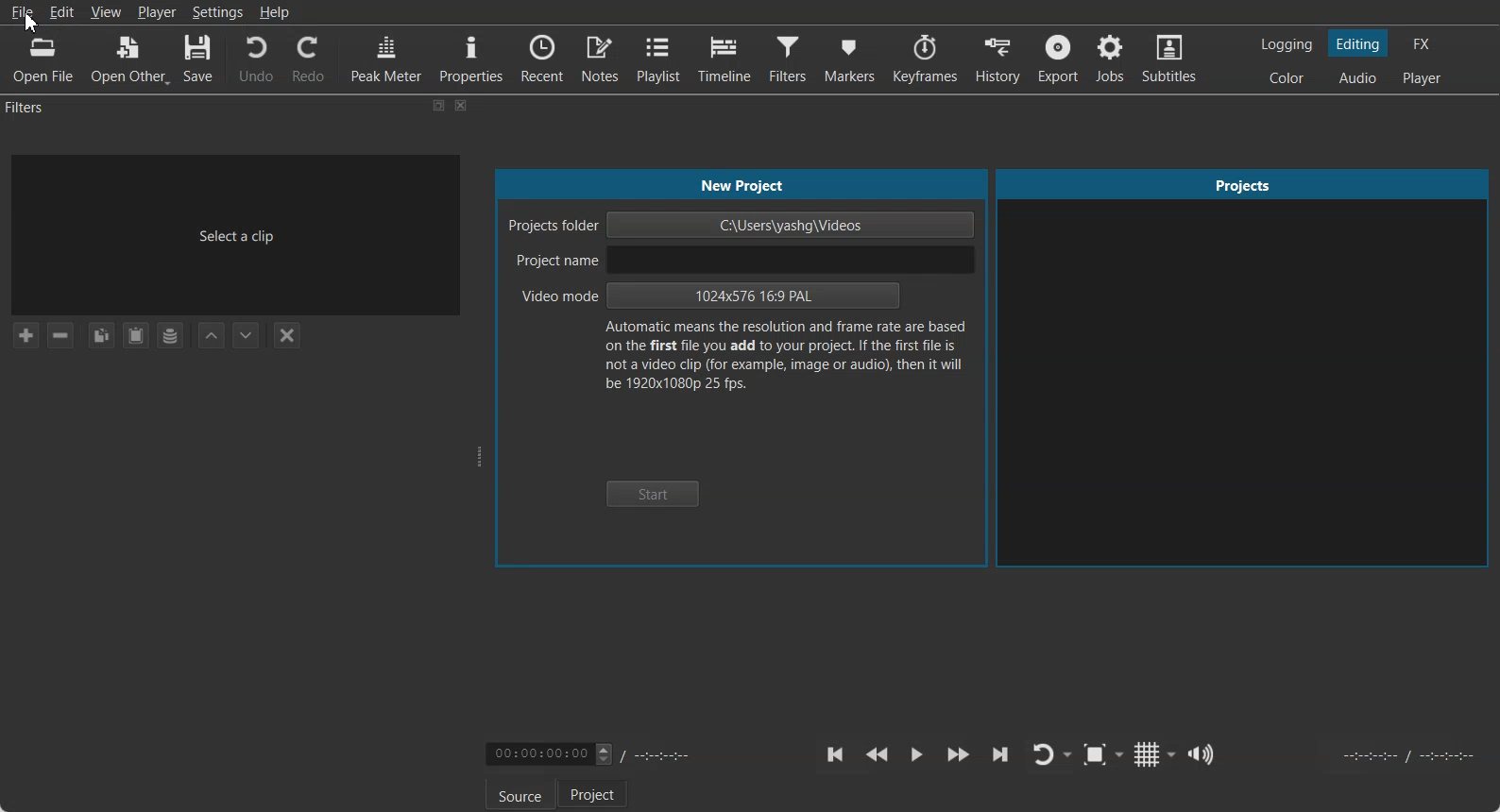 The image size is (1500, 812). Describe the element at coordinates (1424, 43) in the screenshot. I see `Switch to the effect only layout` at that location.